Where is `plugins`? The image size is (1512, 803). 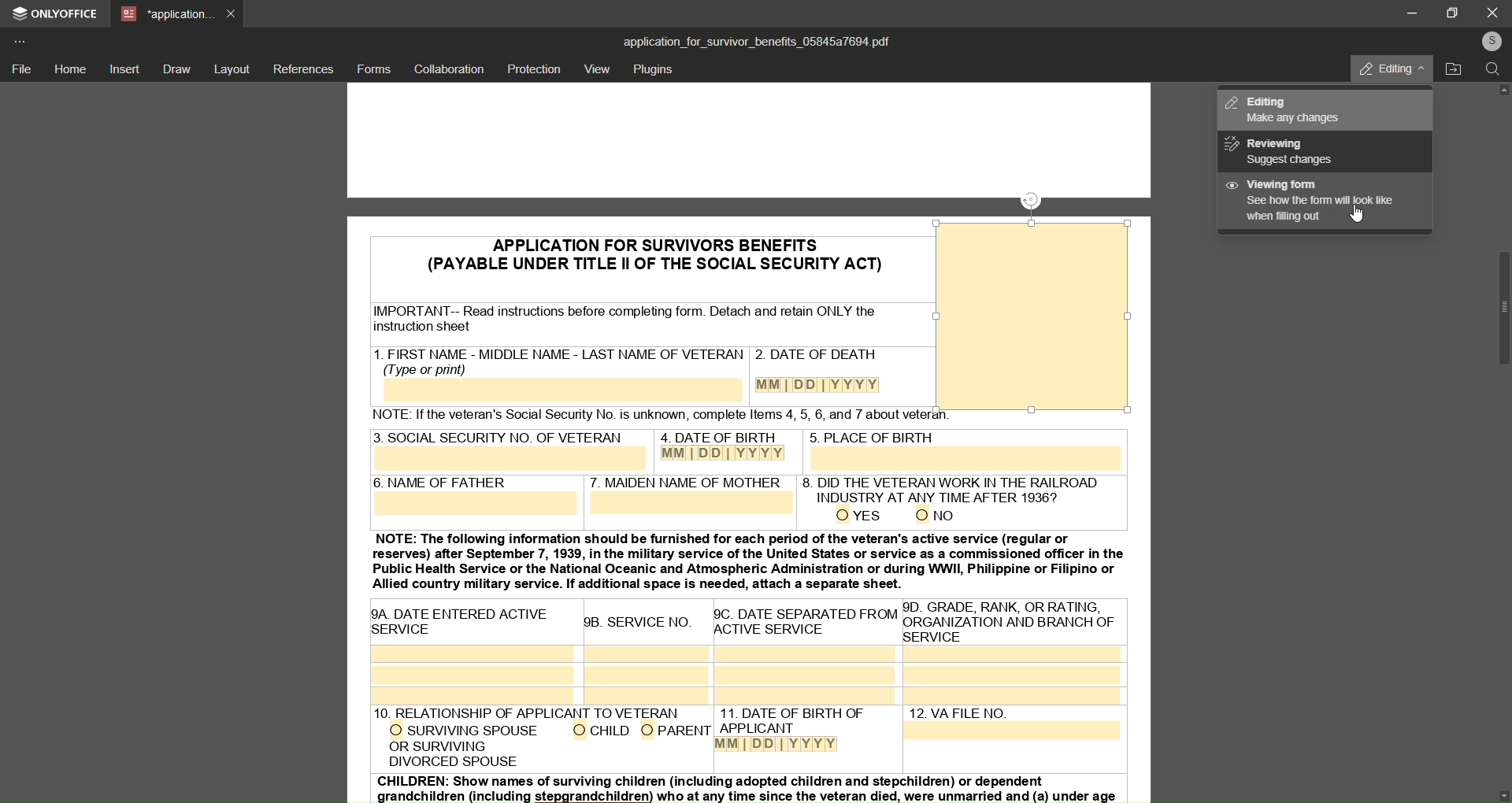
plugins is located at coordinates (655, 71).